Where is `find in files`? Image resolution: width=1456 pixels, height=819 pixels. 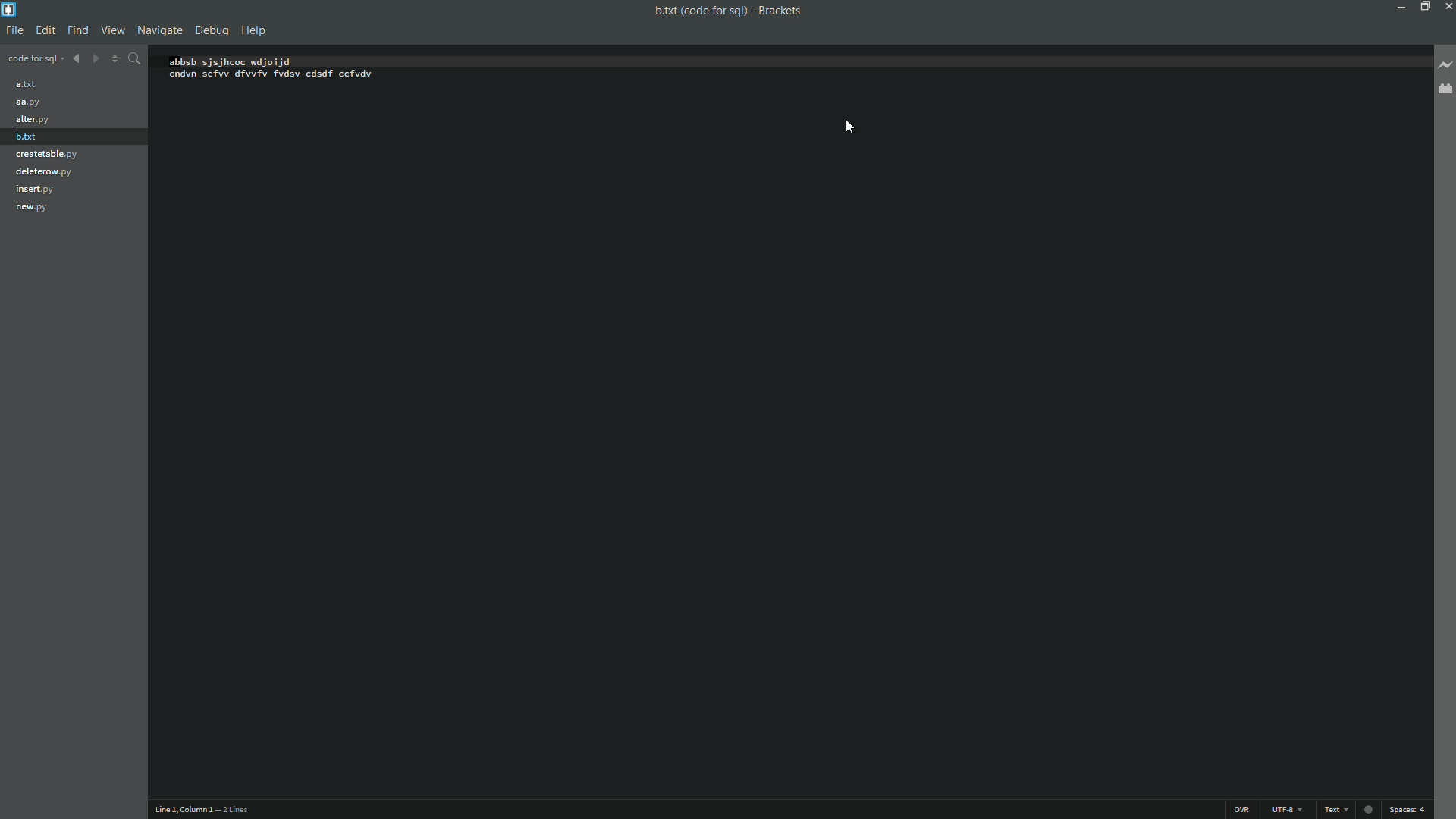
find in files is located at coordinates (134, 60).